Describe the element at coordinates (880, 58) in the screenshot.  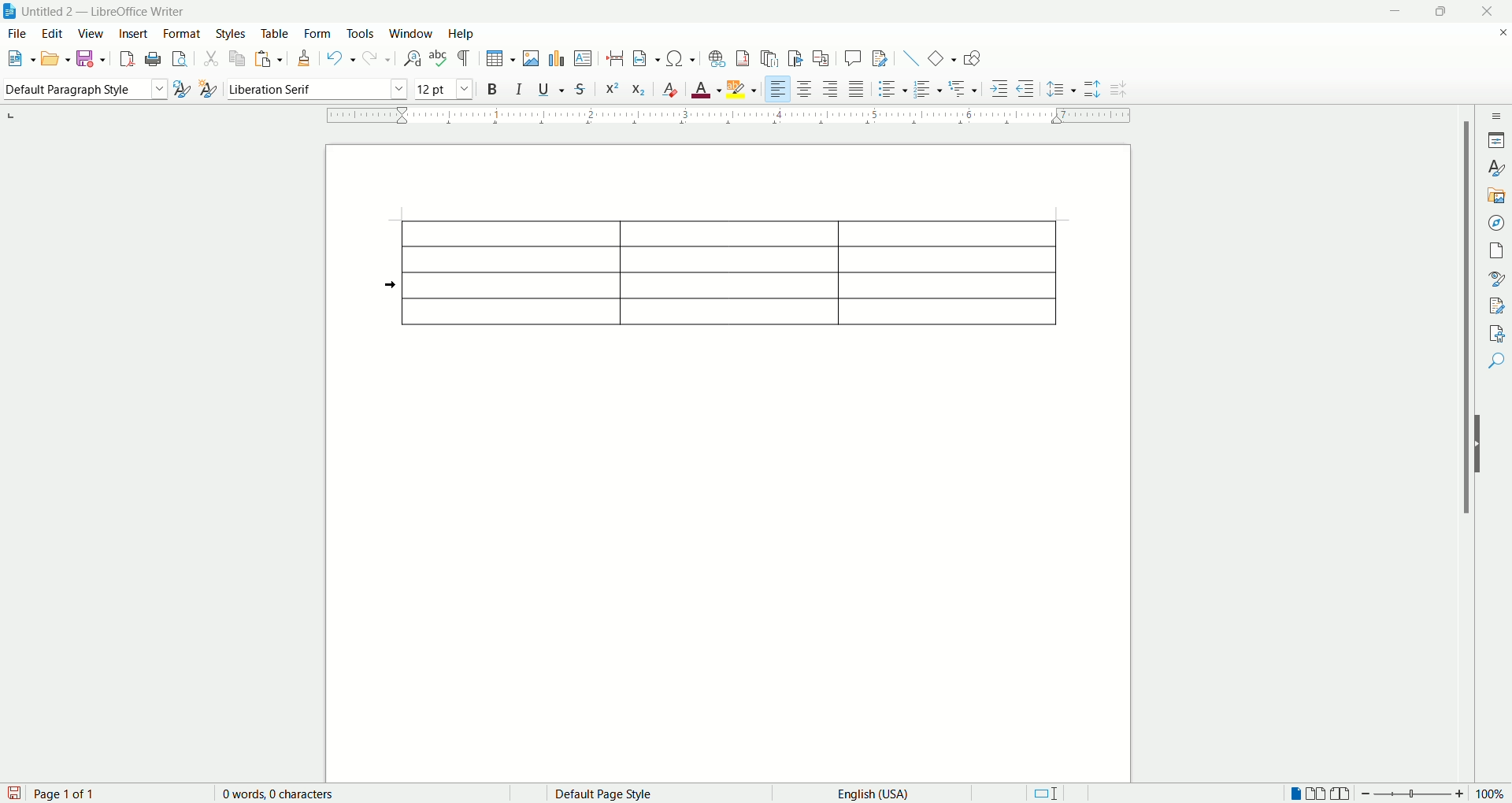
I see `show track changes` at that location.